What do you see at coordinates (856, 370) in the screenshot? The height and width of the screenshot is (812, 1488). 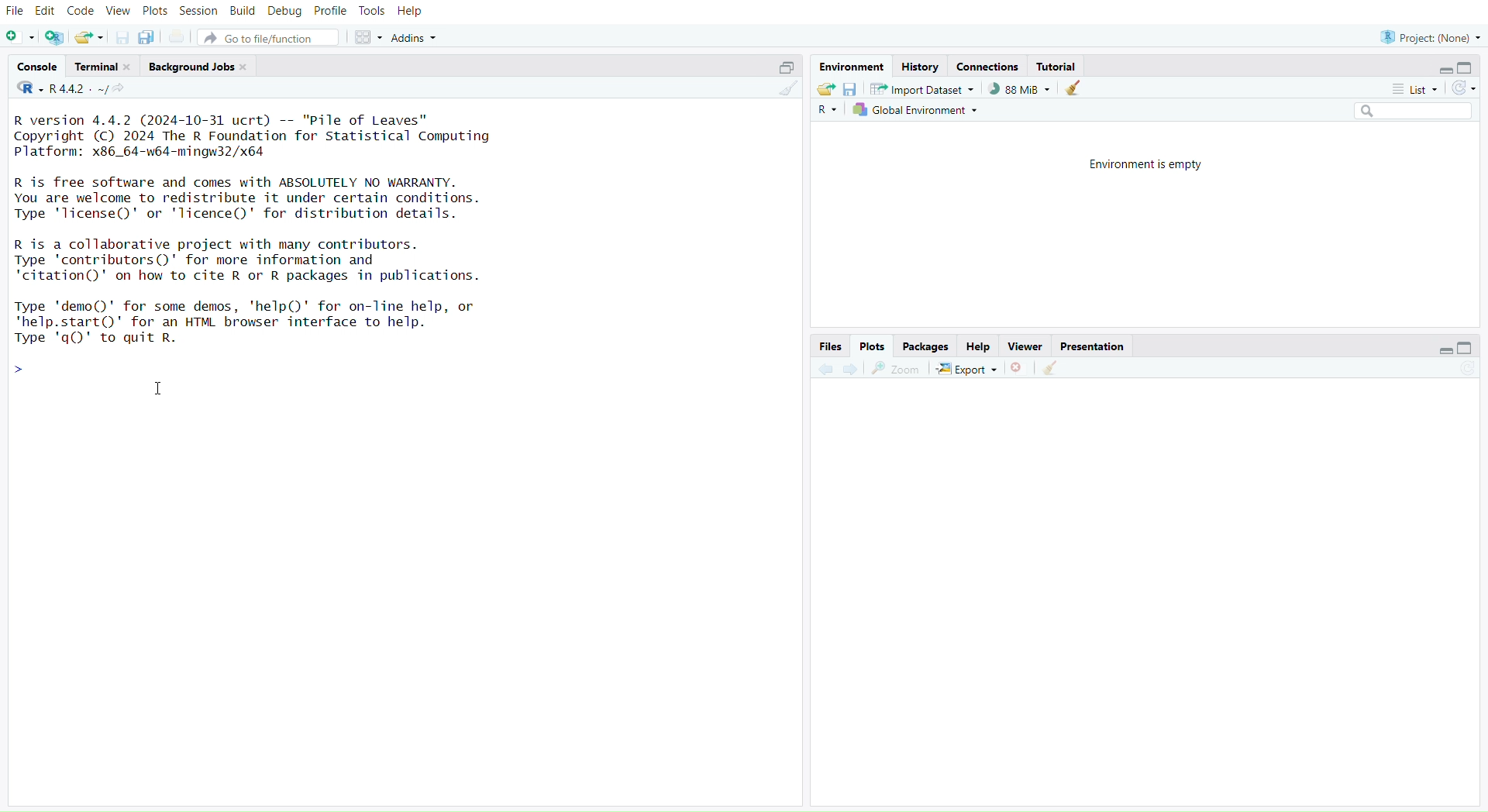 I see `forward` at bounding box center [856, 370].